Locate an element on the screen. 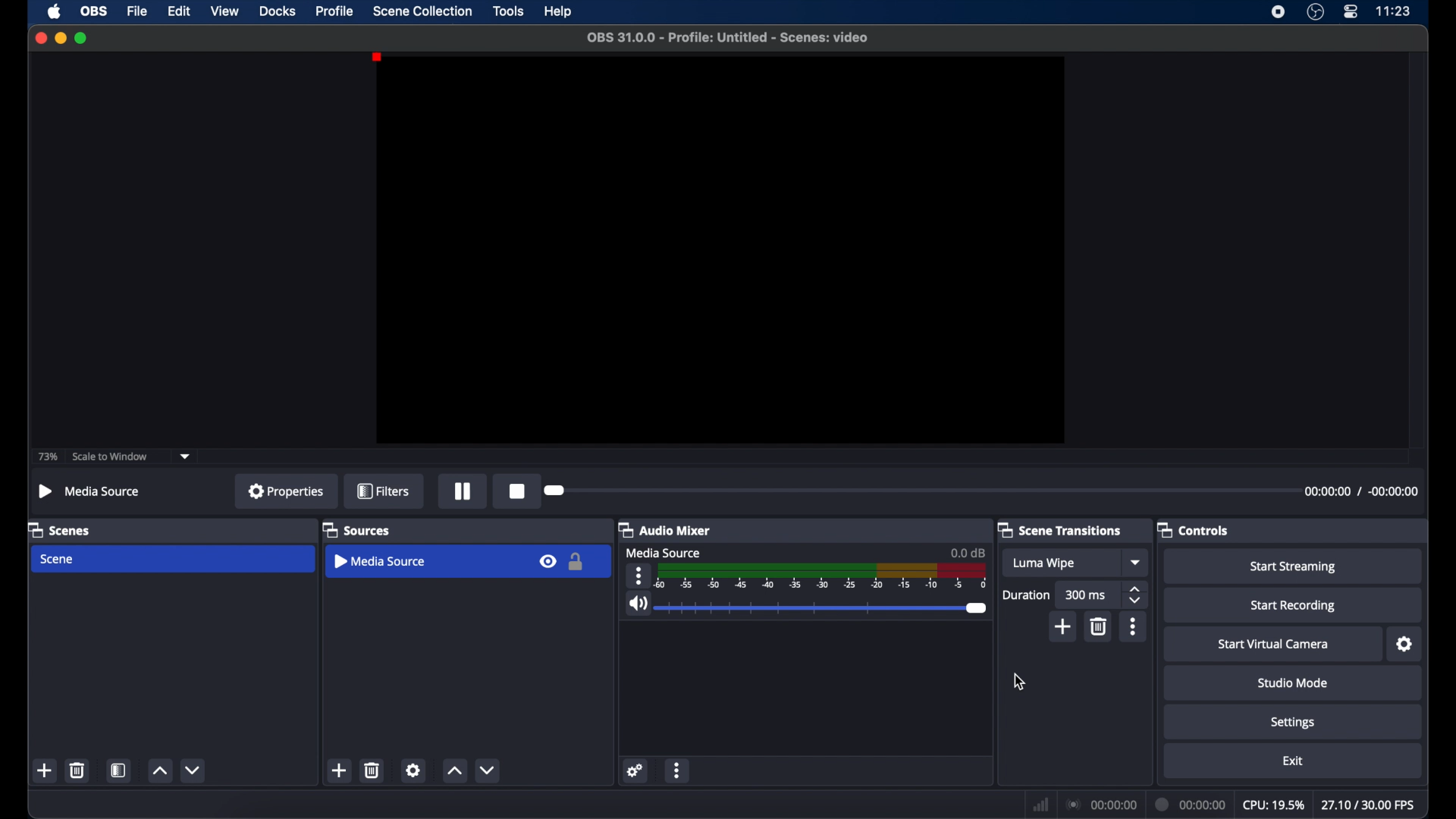 This screenshot has width=1456, height=819. more options is located at coordinates (1133, 626).